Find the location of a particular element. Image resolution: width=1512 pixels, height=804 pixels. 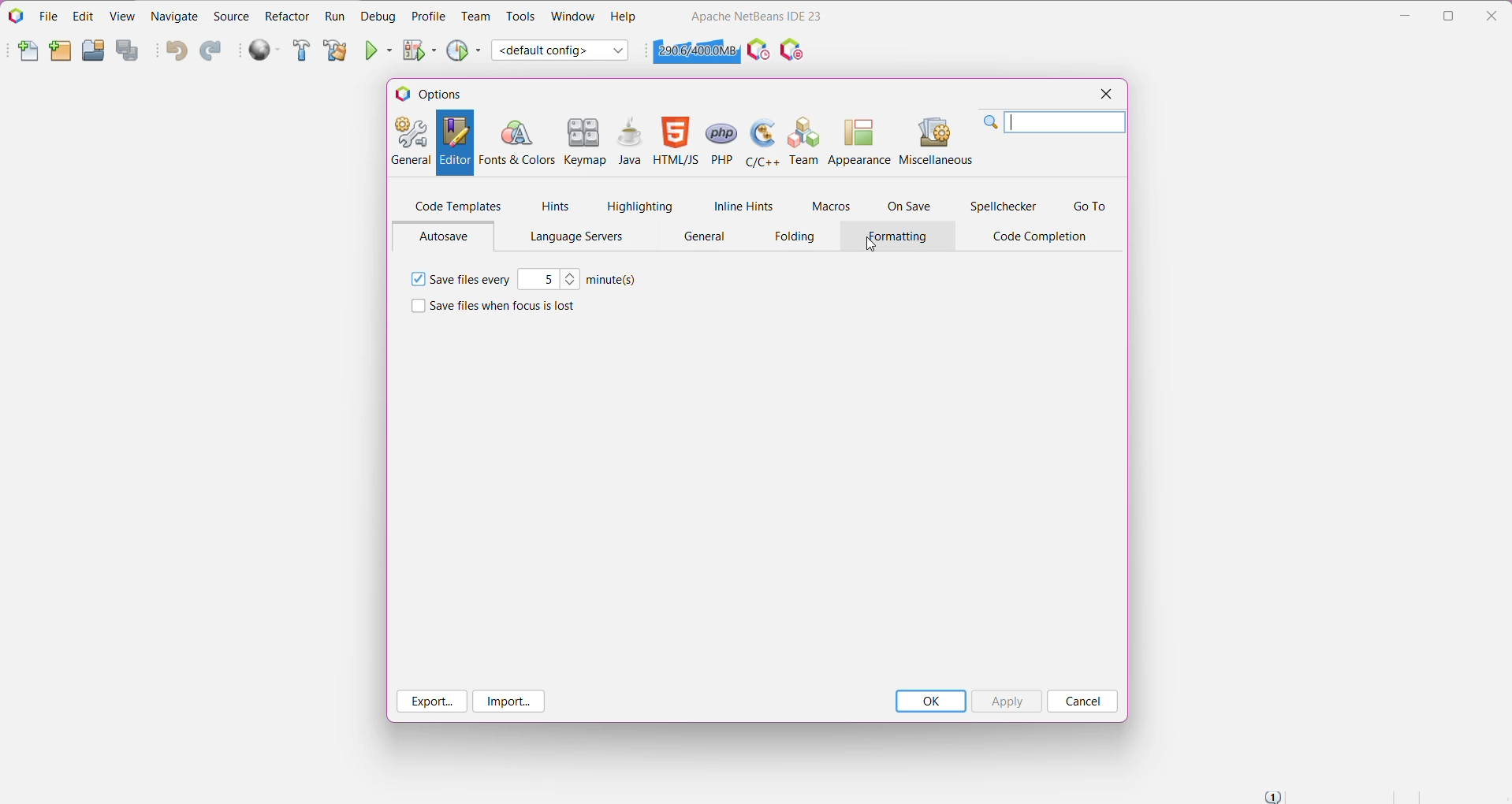

Highlighting is located at coordinates (640, 206).